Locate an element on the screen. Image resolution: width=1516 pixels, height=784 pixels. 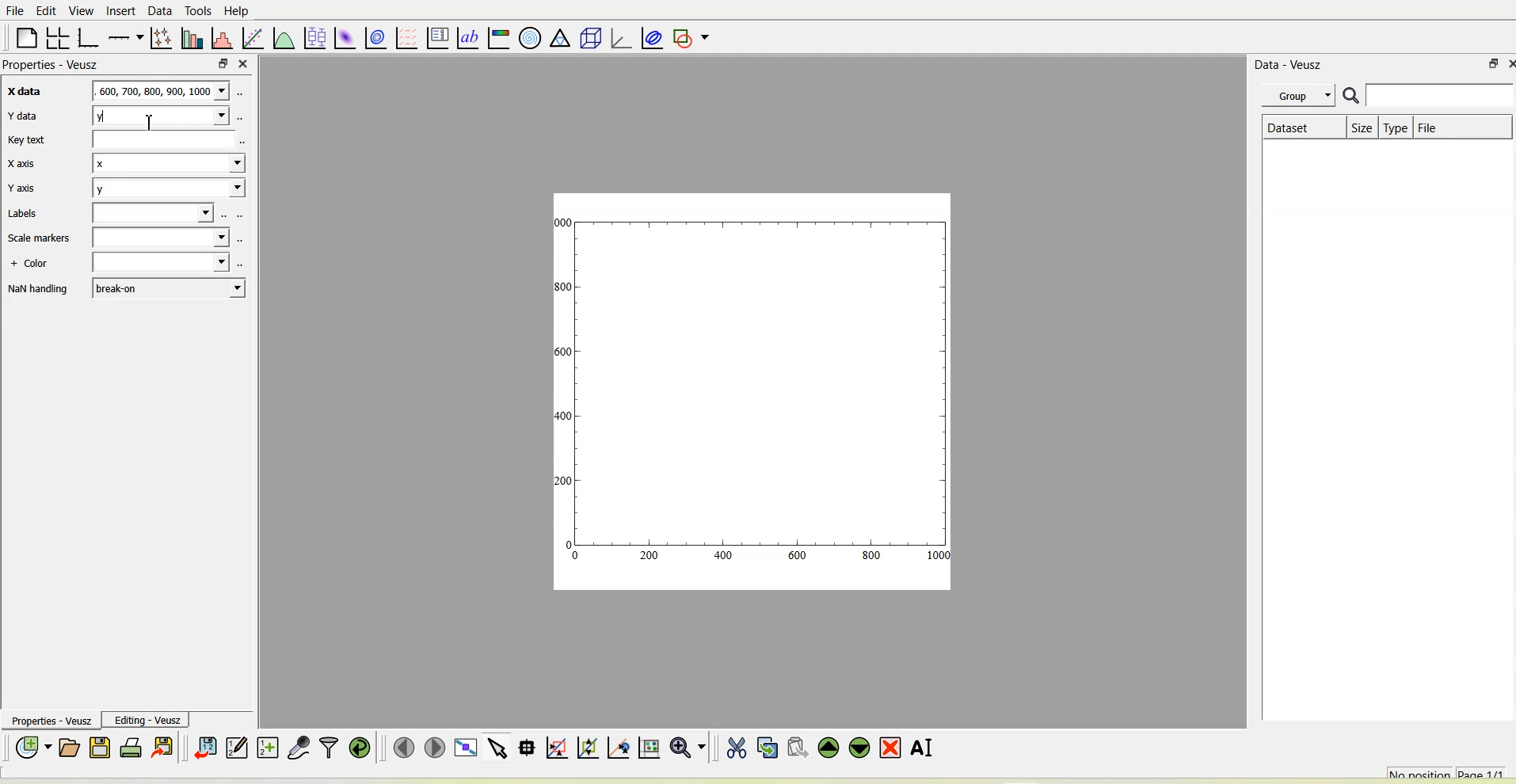
close is located at coordinates (1506, 63).